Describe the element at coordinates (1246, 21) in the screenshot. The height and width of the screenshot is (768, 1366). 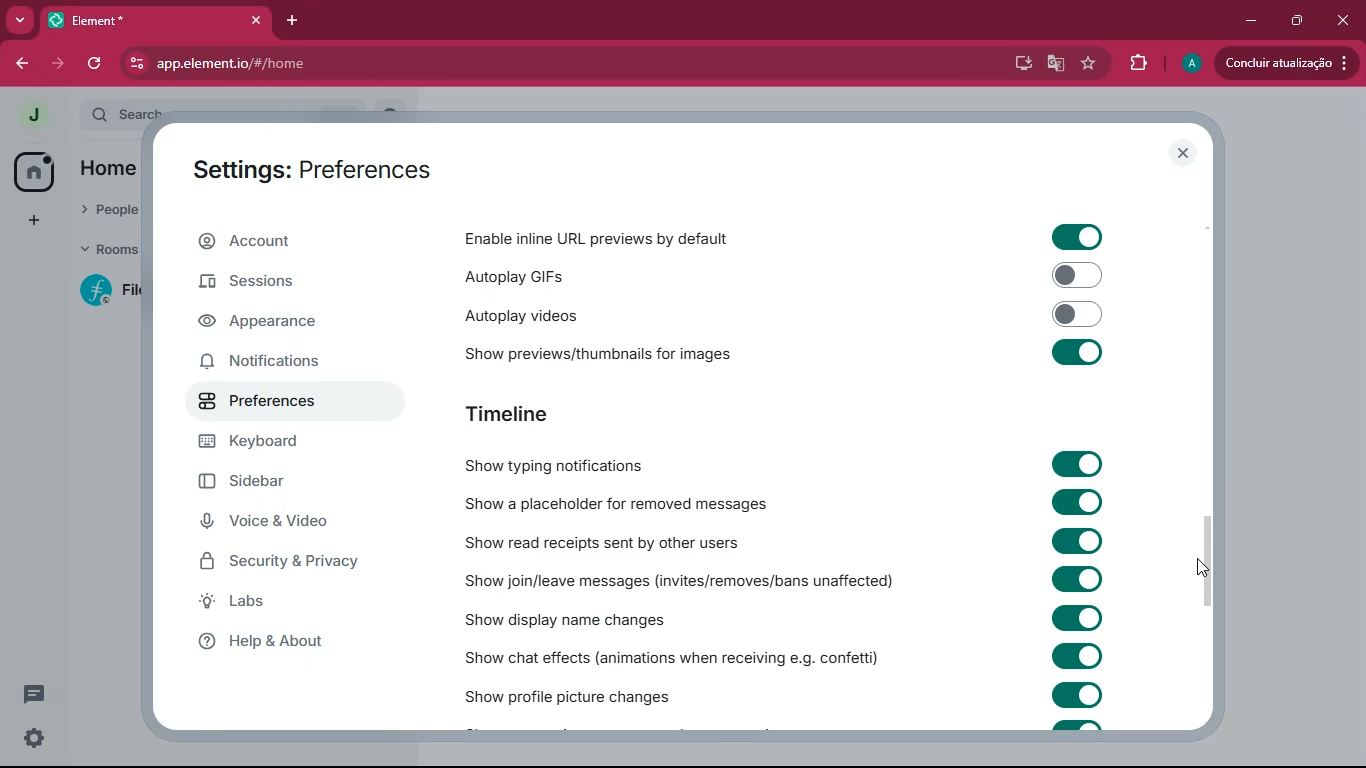
I see `minimize` at that location.